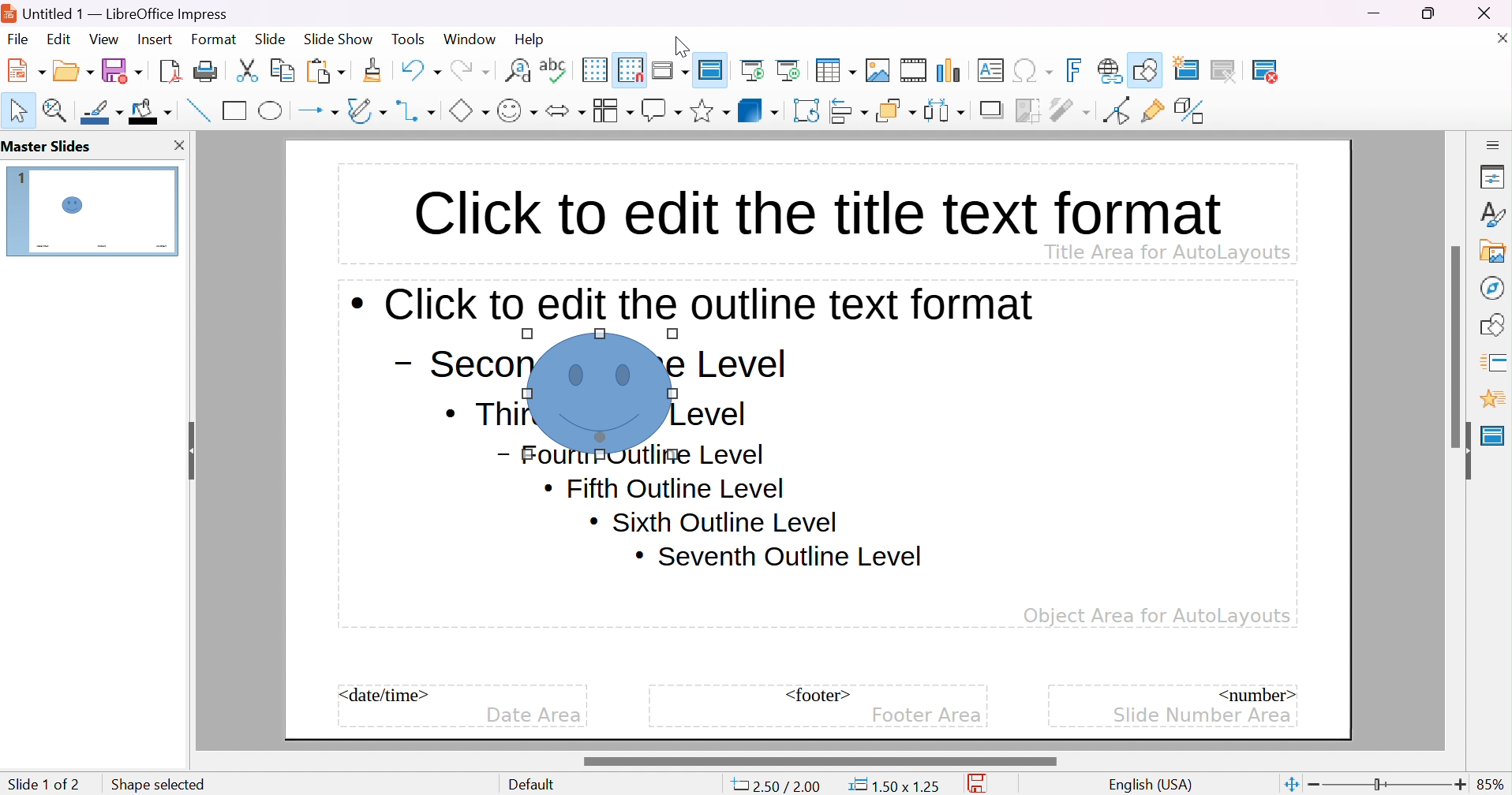 This screenshot has width=1512, height=795. Describe the element at coordinates (1491, 784) in the screenshot. I see `85%` at that location.